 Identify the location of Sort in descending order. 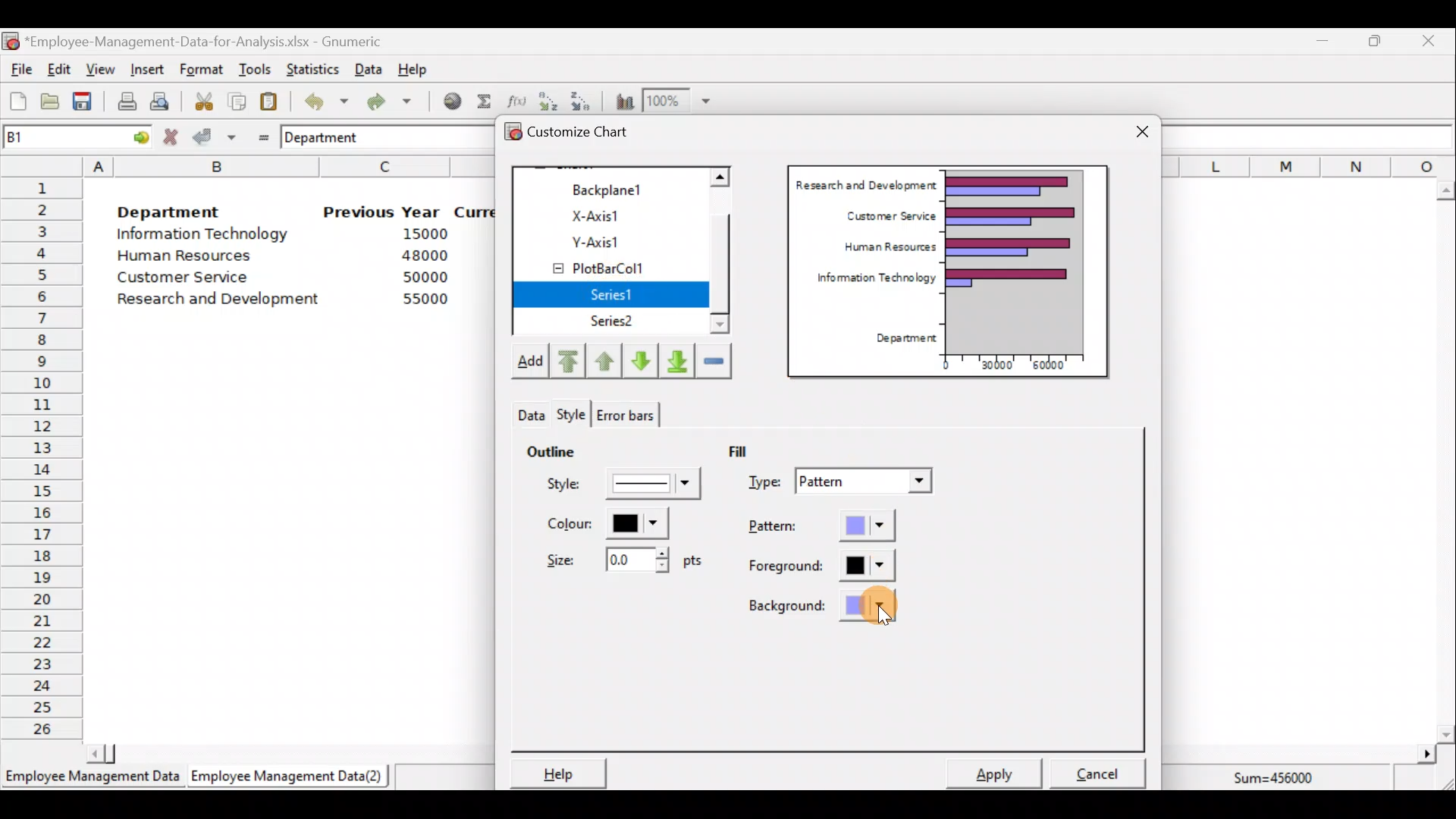
(582, 100).